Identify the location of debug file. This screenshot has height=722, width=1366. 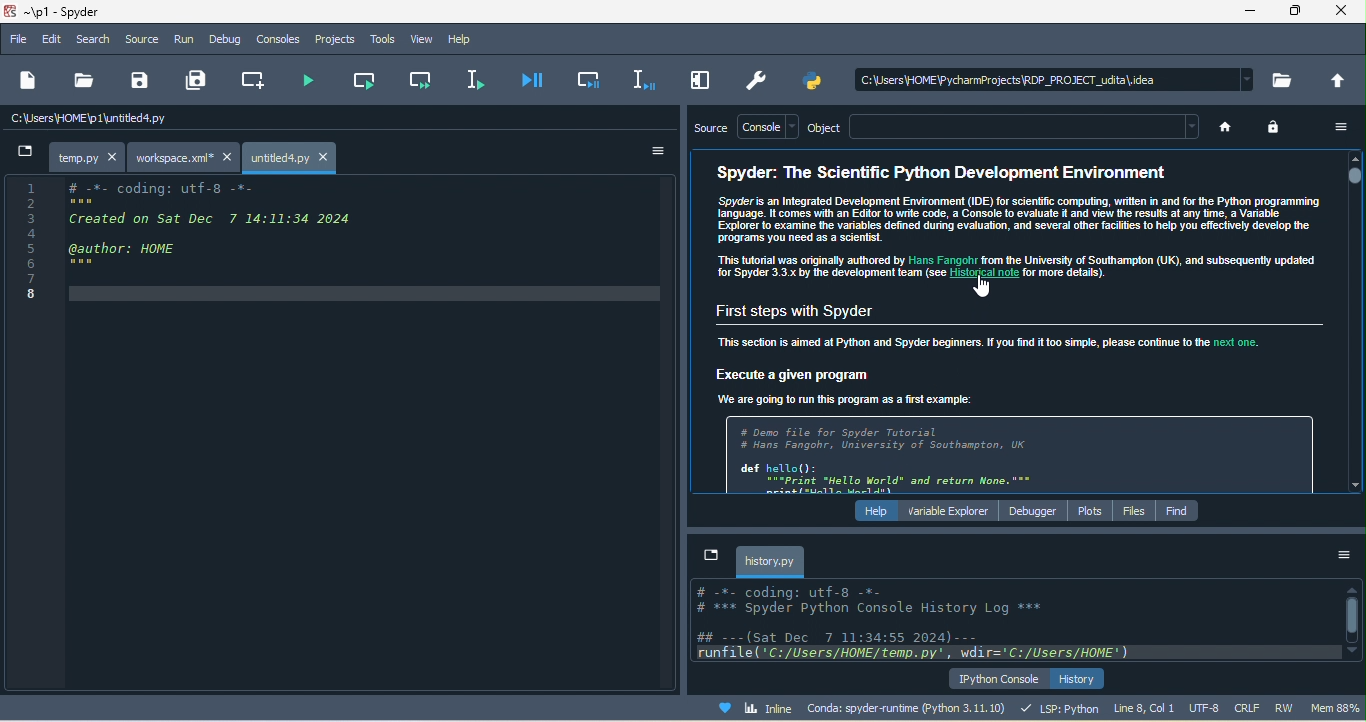
(537, 81).